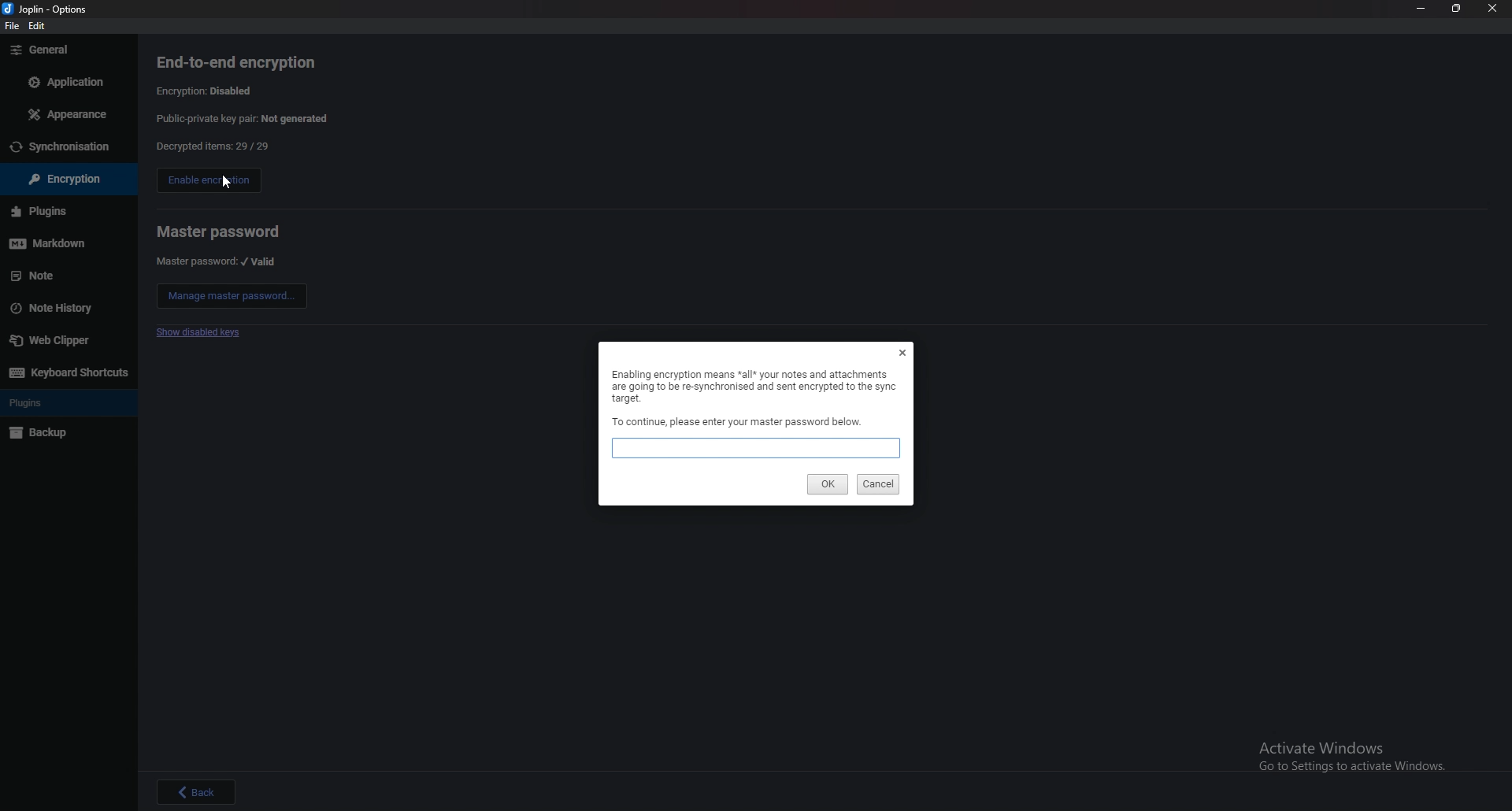 The width and height of the screenshot is (1512, 811). Describe the element at coordinates (220, 231) in the screenshot. I see `master password` at that location.